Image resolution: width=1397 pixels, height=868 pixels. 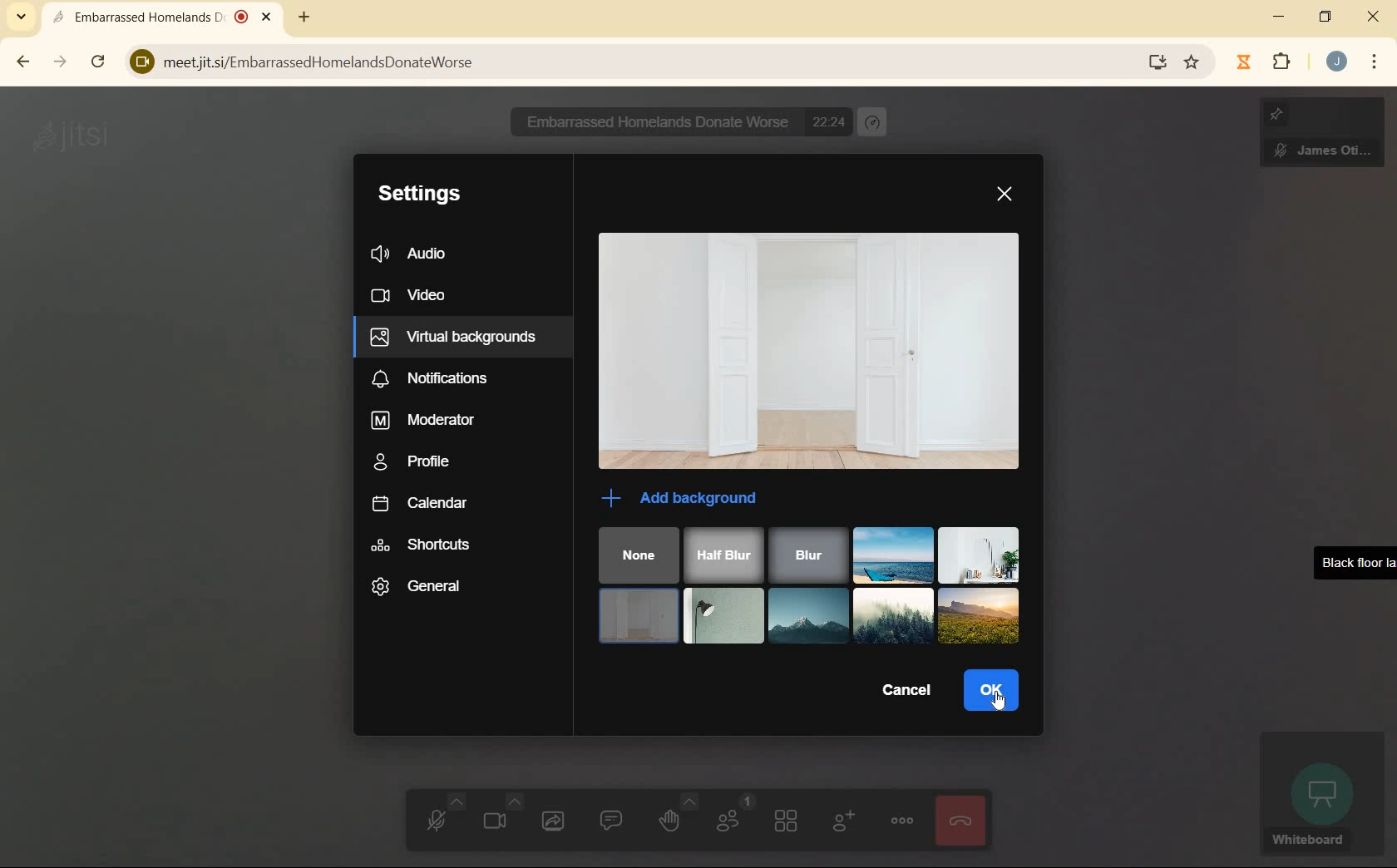 What do you see at coordinates (61, 63) in the screenshot?
I see `forward` at bounding box center [61, 63].